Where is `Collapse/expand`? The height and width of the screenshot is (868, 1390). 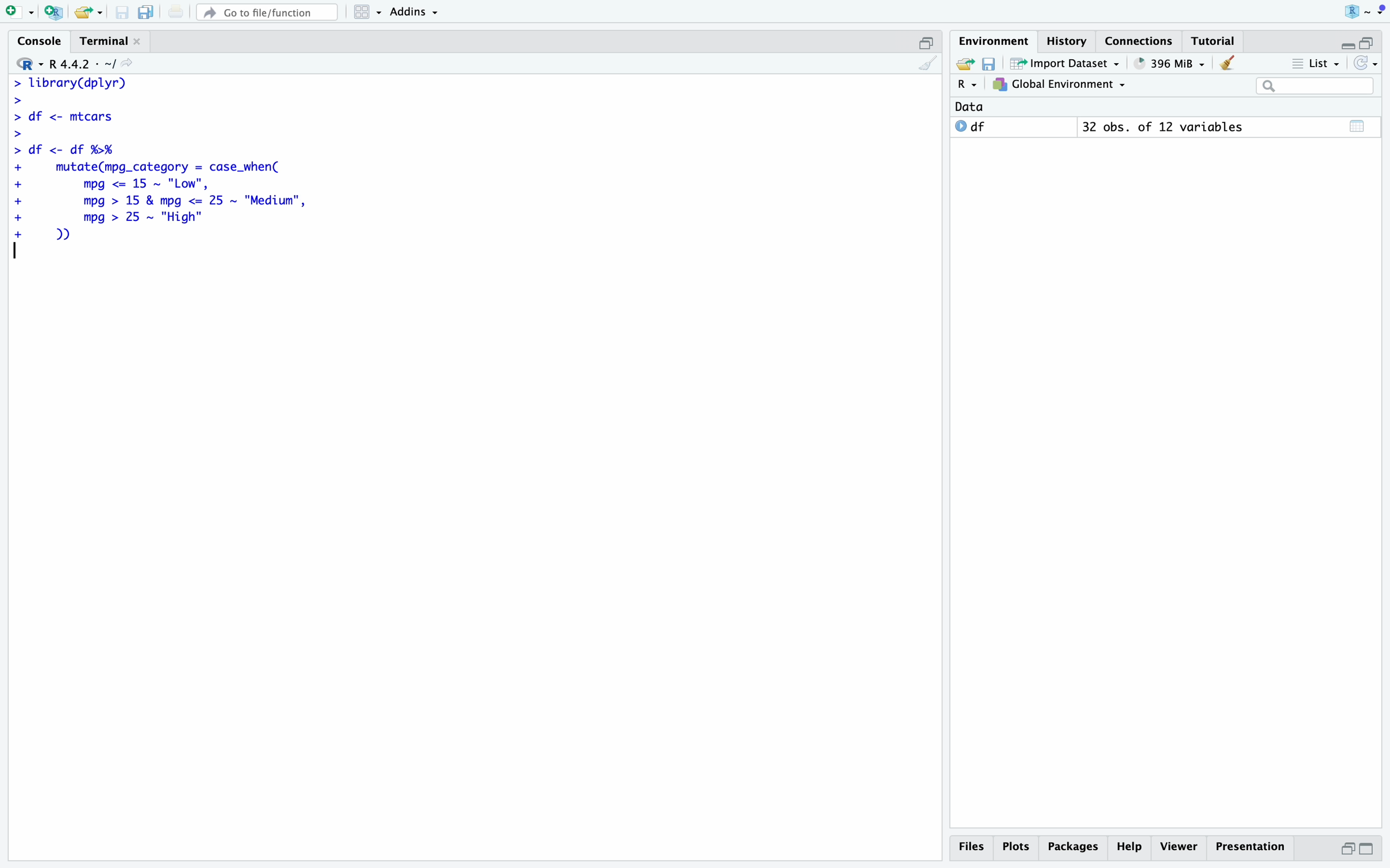 Collapse/expand is located at coordinates (1347, 45).